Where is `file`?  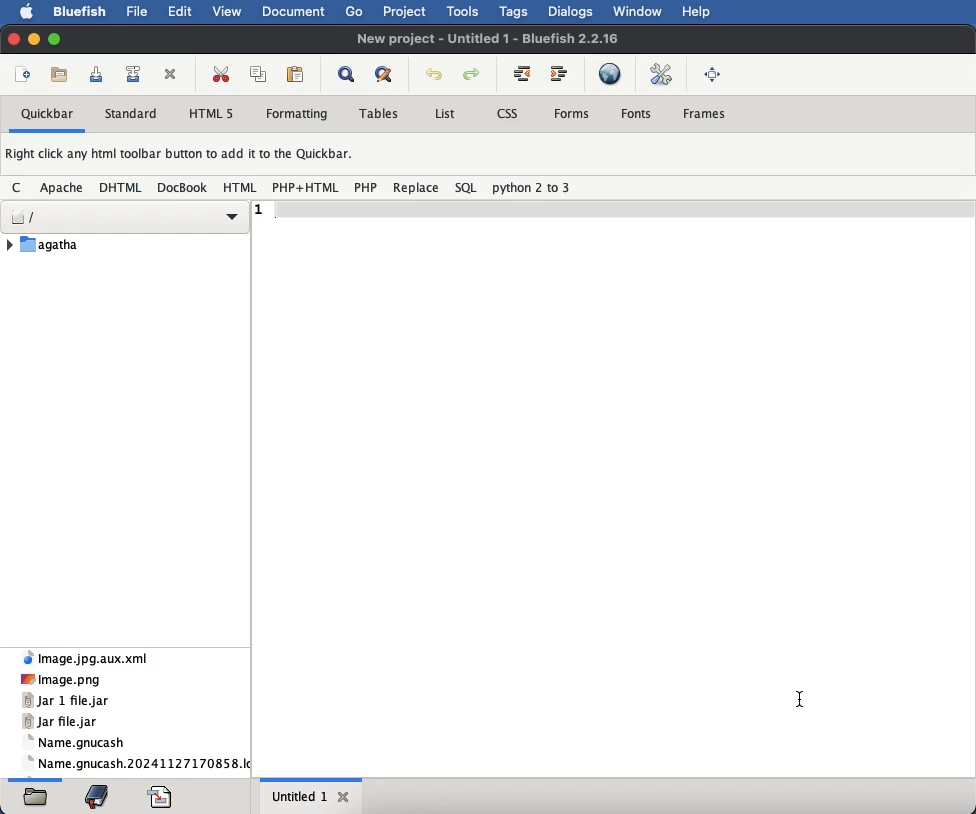 file is located at coordinates (125, 218).